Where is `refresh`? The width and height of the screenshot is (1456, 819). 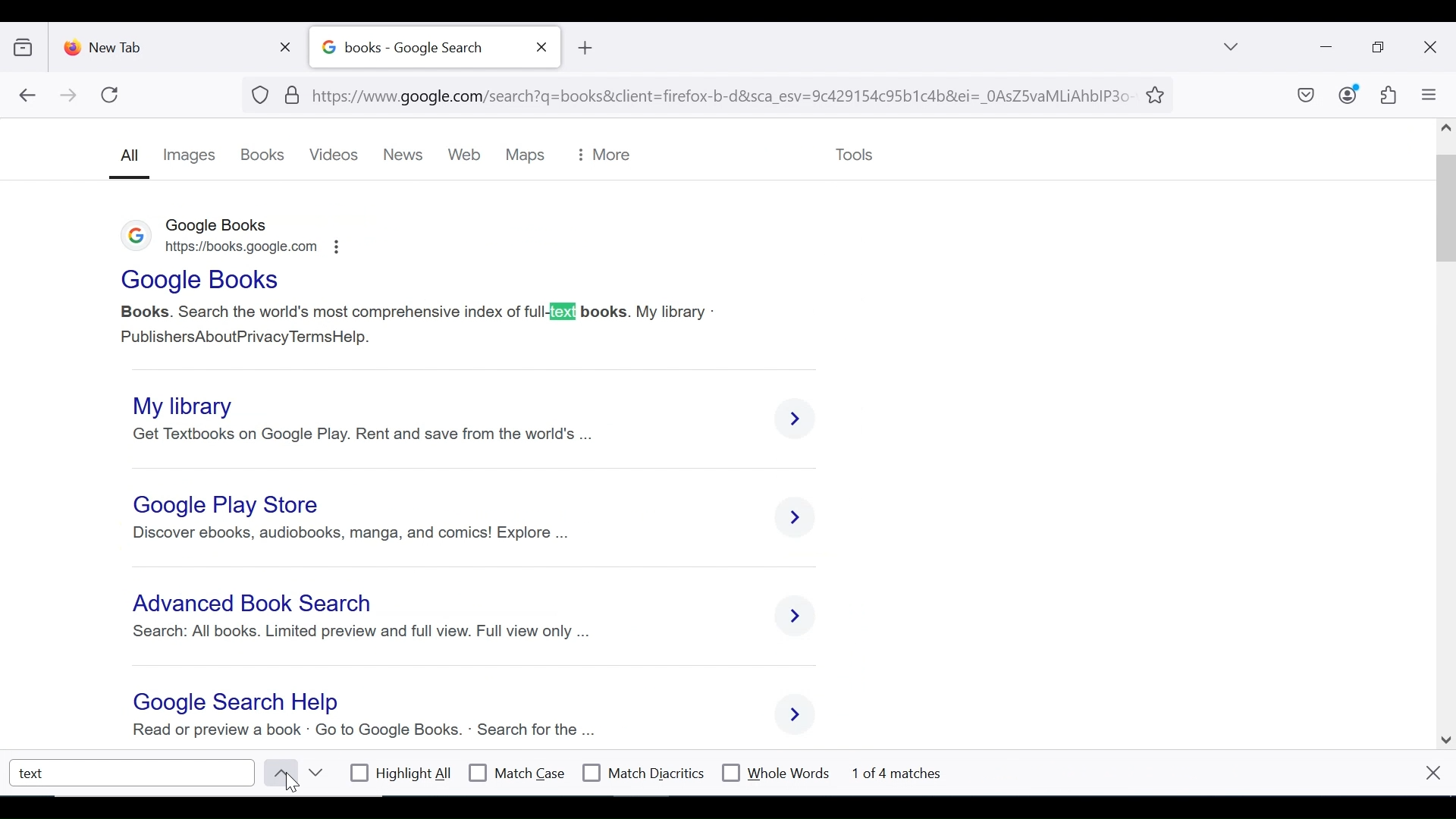 refresh is located at coordinates (111, 95).